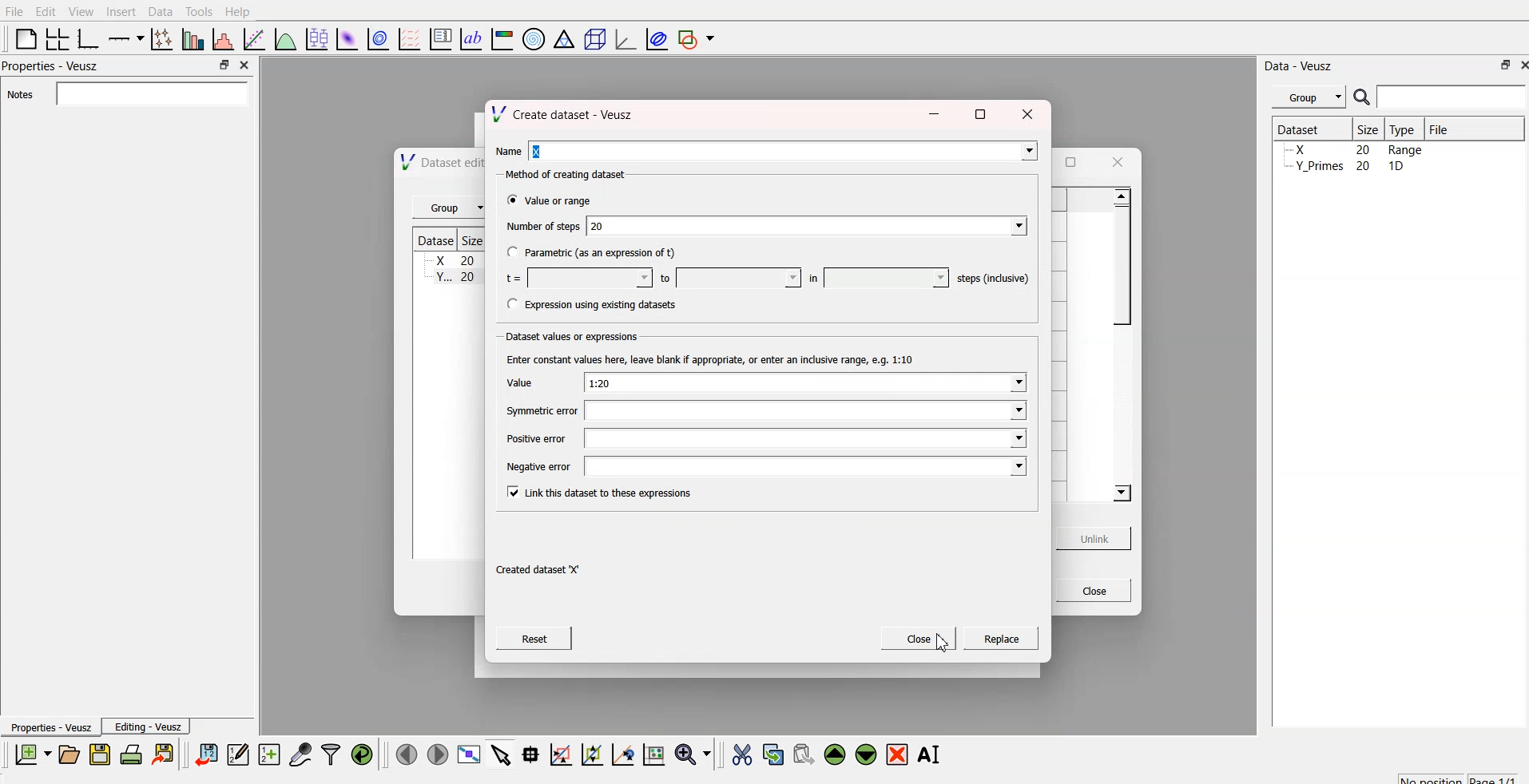  I want to click on blank page, so click(22, 38).